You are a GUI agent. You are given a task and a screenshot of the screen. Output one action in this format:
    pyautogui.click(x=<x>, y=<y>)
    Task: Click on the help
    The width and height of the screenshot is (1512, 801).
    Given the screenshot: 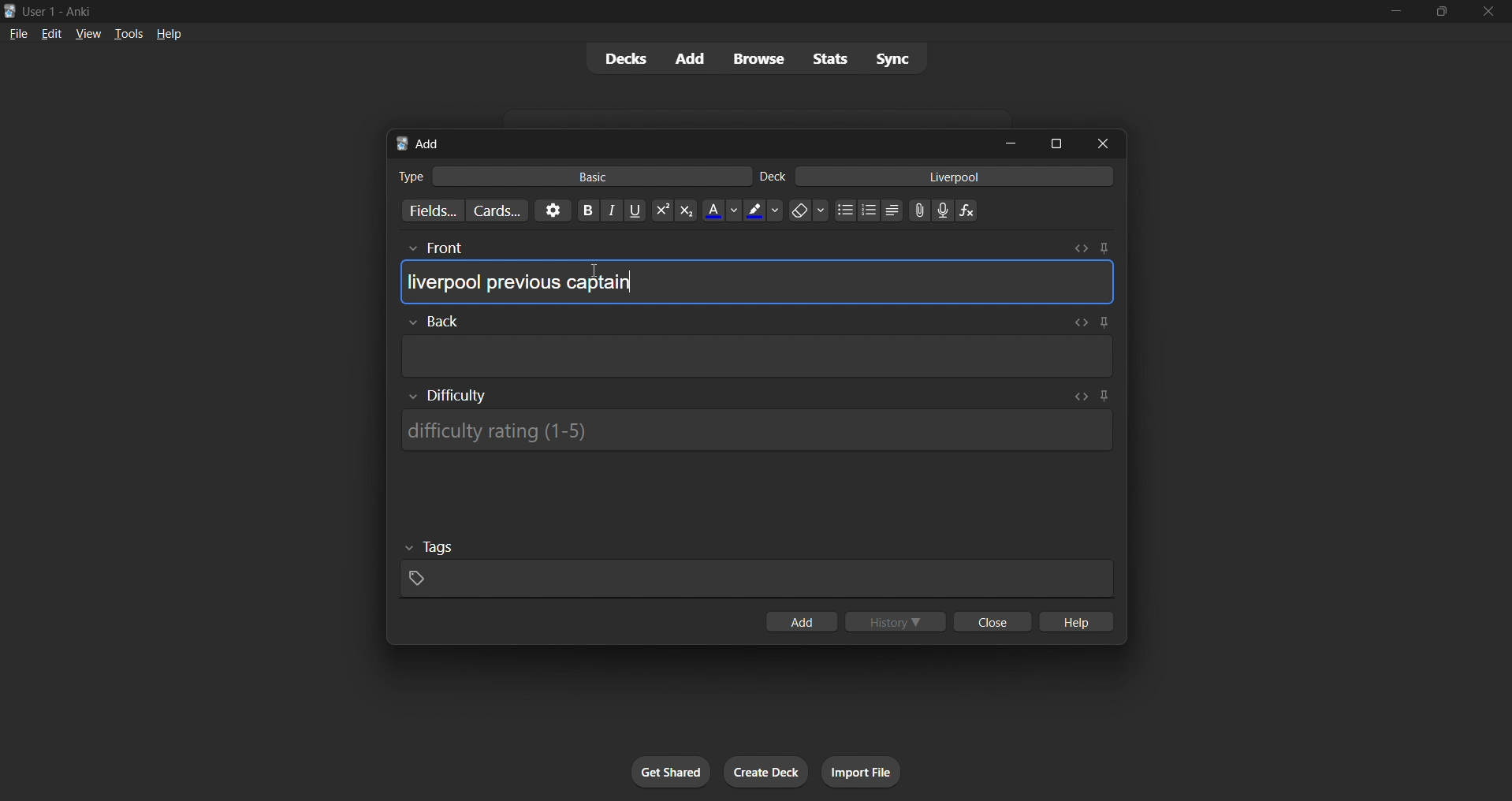 What is the action you would take?
    pyautogui.click(x=171, y=32)
    